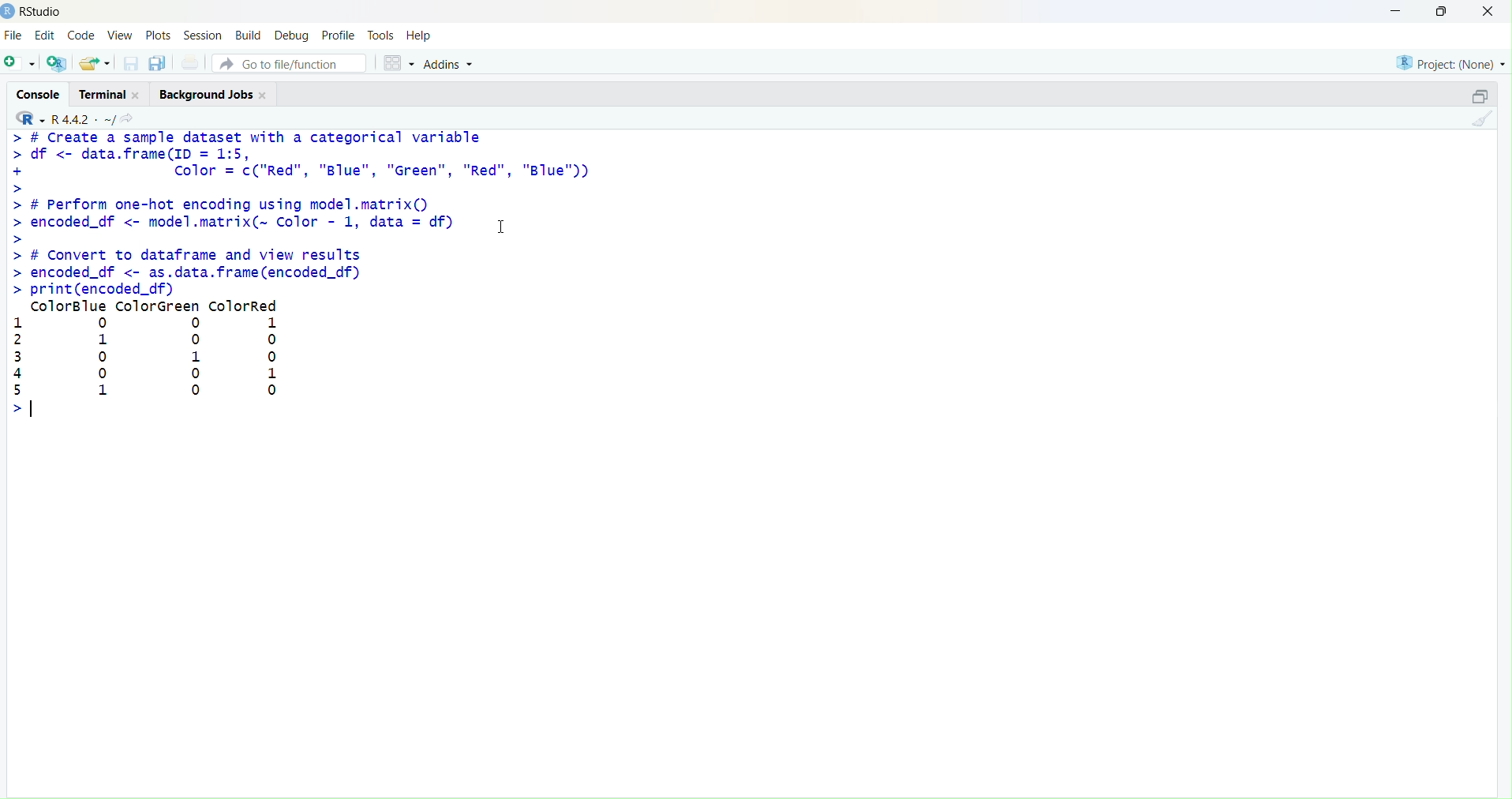  What do you see at coordinates (381, 36) in the screenshot?
I see `tools` at bounding box center [381, 36].